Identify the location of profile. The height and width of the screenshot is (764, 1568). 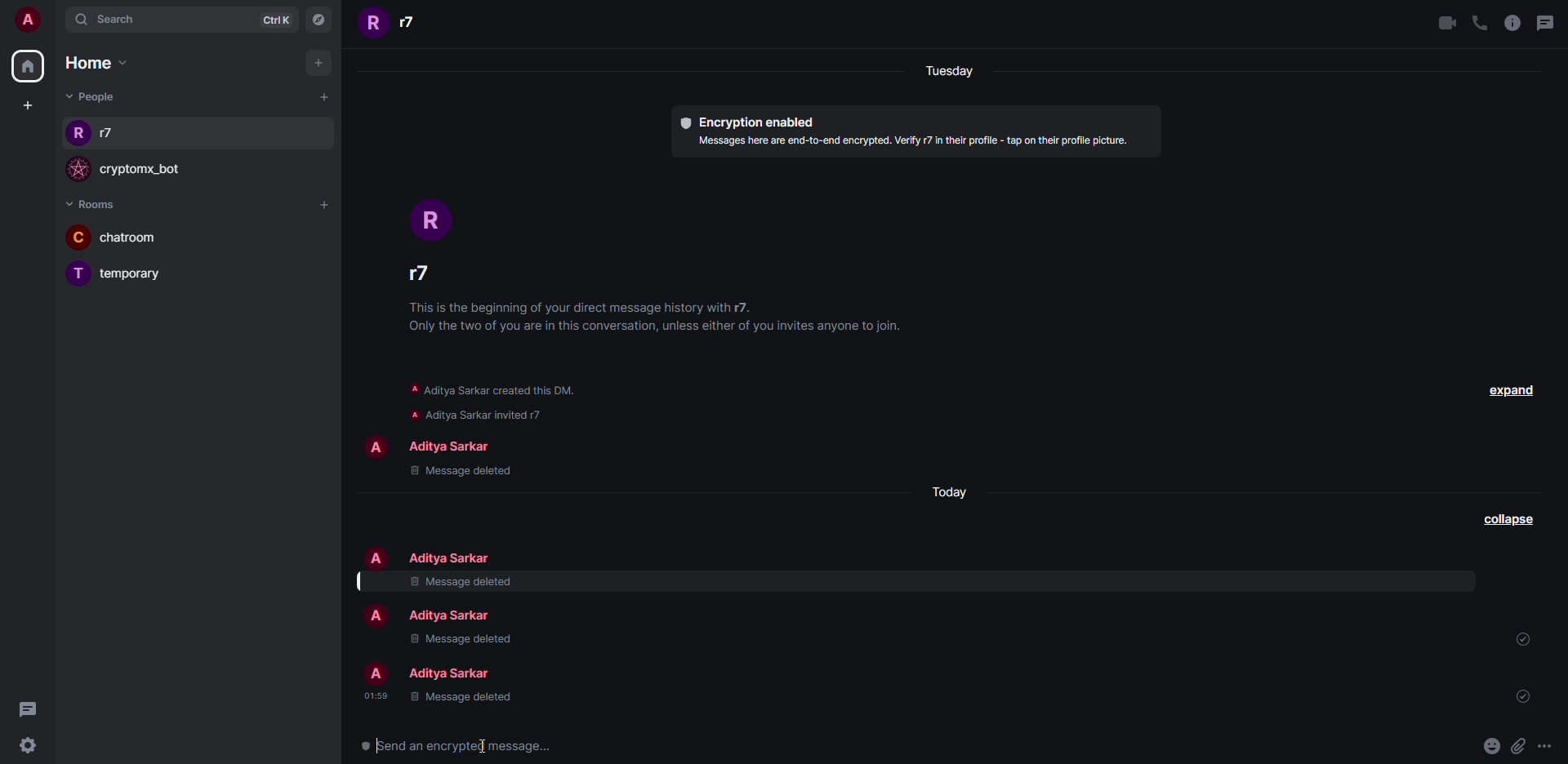
(376, 674).